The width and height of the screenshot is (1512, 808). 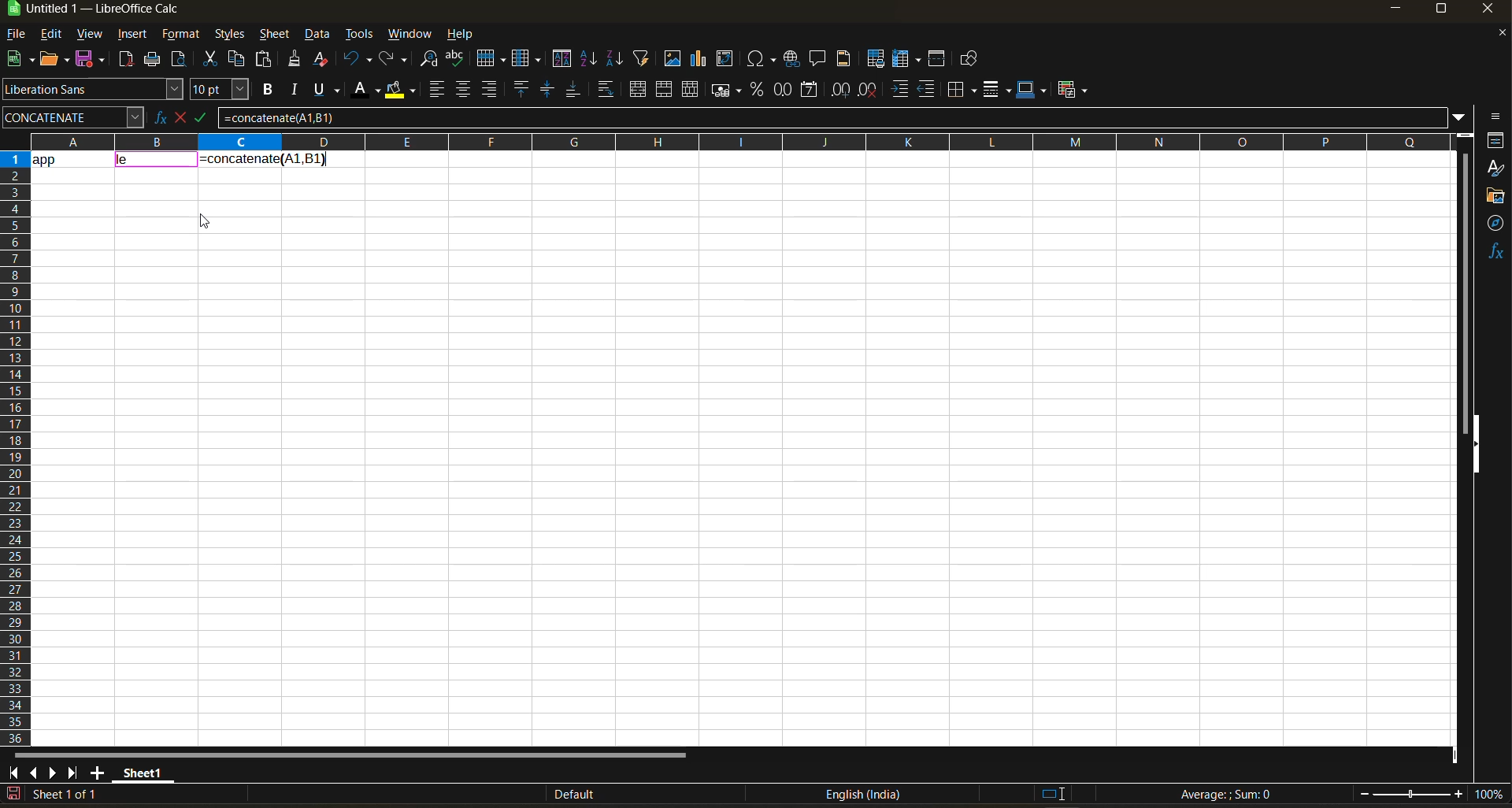 What do you see at coordinates (1493, 117) in the screenshot?
I see `sidebar settings` at bounding box center [1493, 117].